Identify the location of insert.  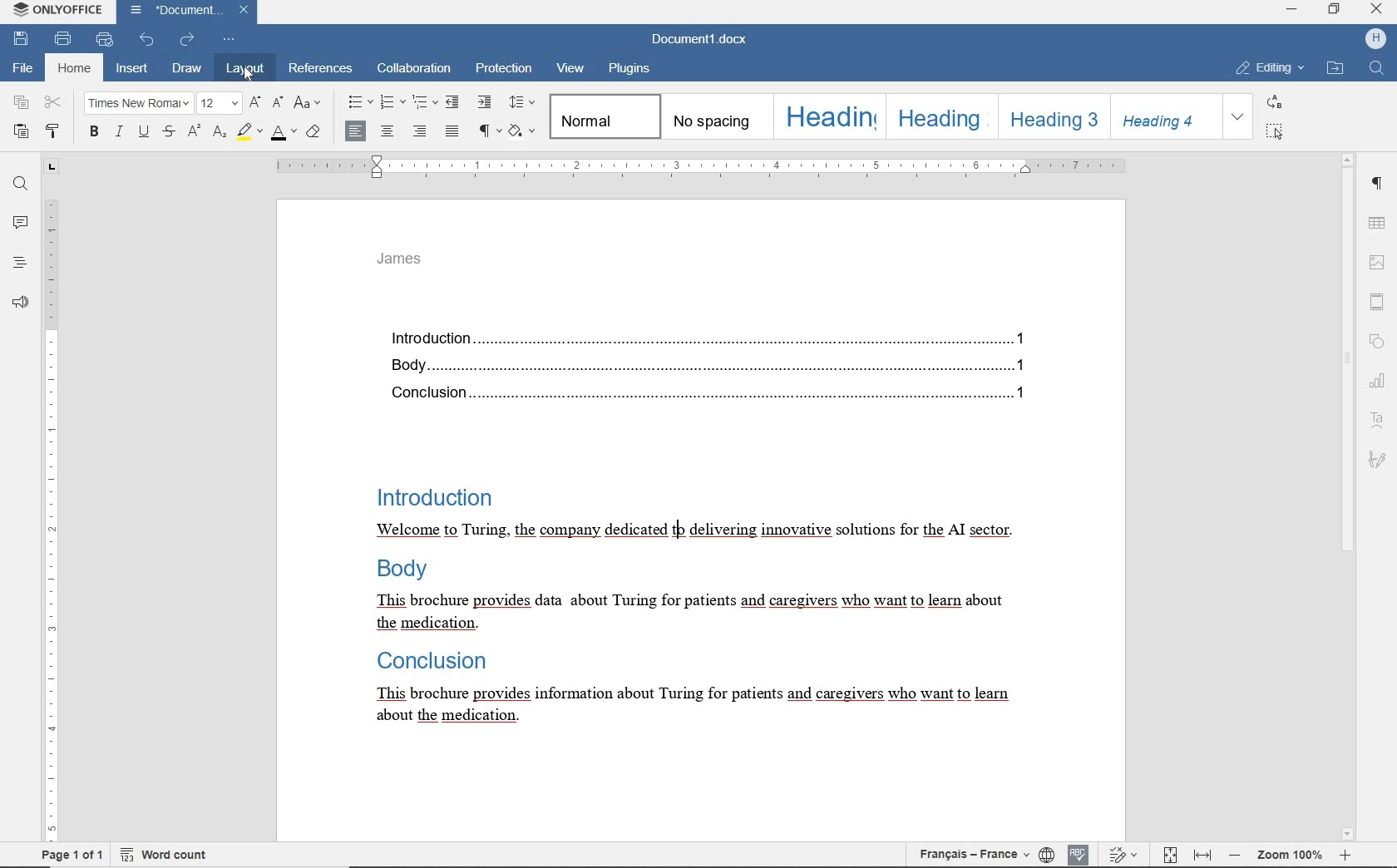
(129, 70).